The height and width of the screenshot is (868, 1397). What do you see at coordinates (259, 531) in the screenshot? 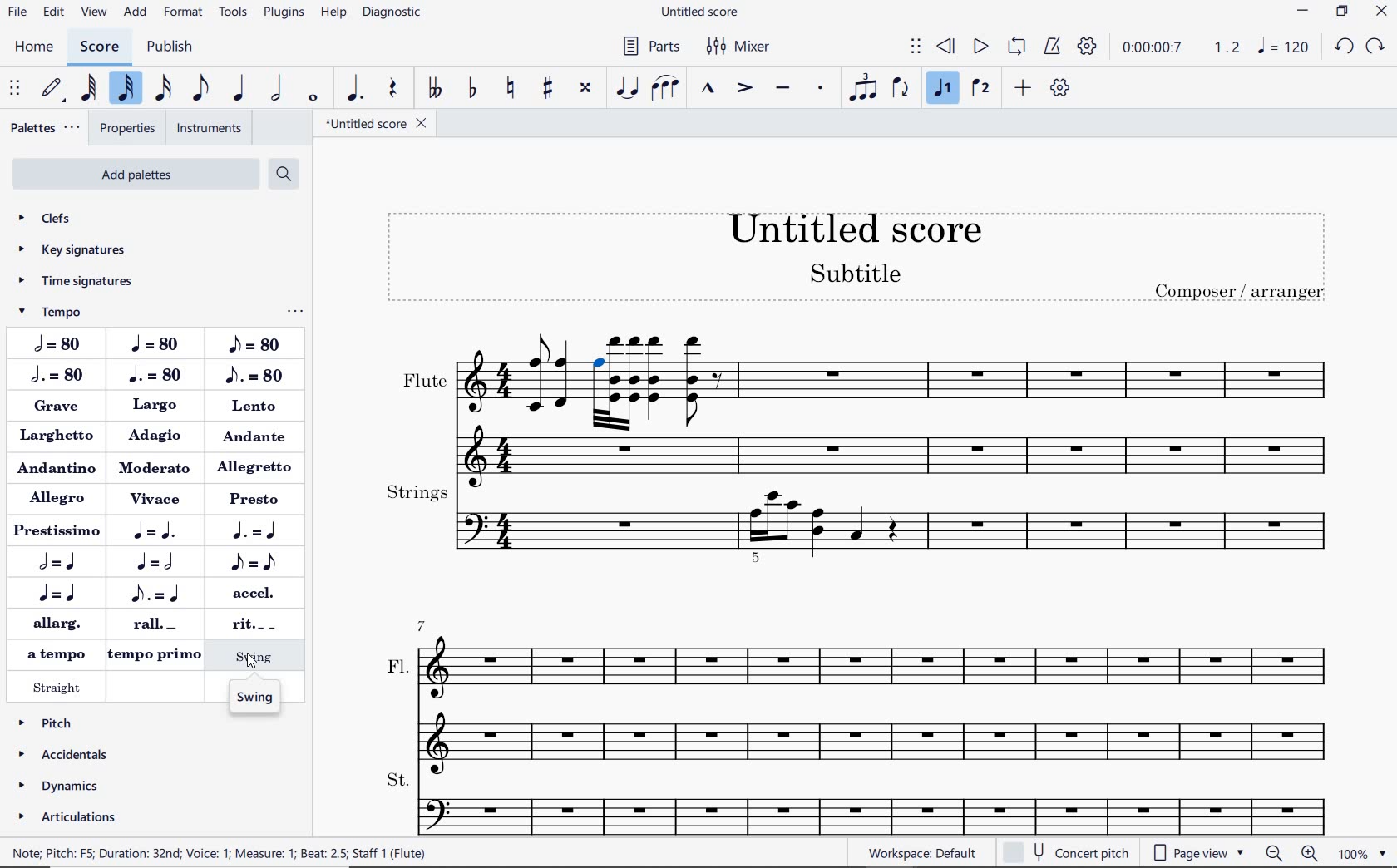
I see `METRIC MODULATION: DOTTED QUARTER NOTE` at bounding box center [259, 531].